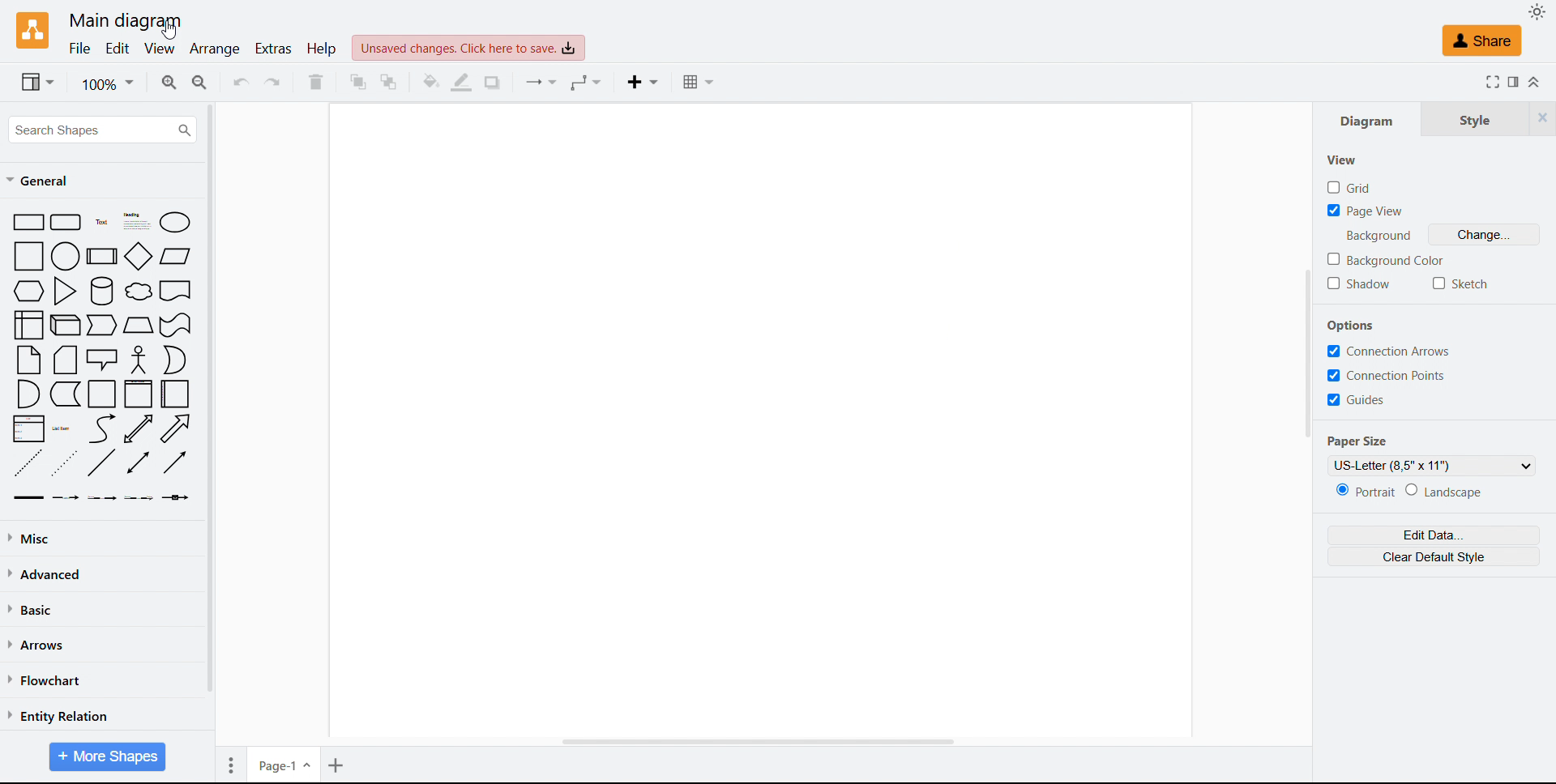  What do you see at coordinates (201, 83) in the screenshot?
I see `Zoom out ` at bounding box center [201, 83].